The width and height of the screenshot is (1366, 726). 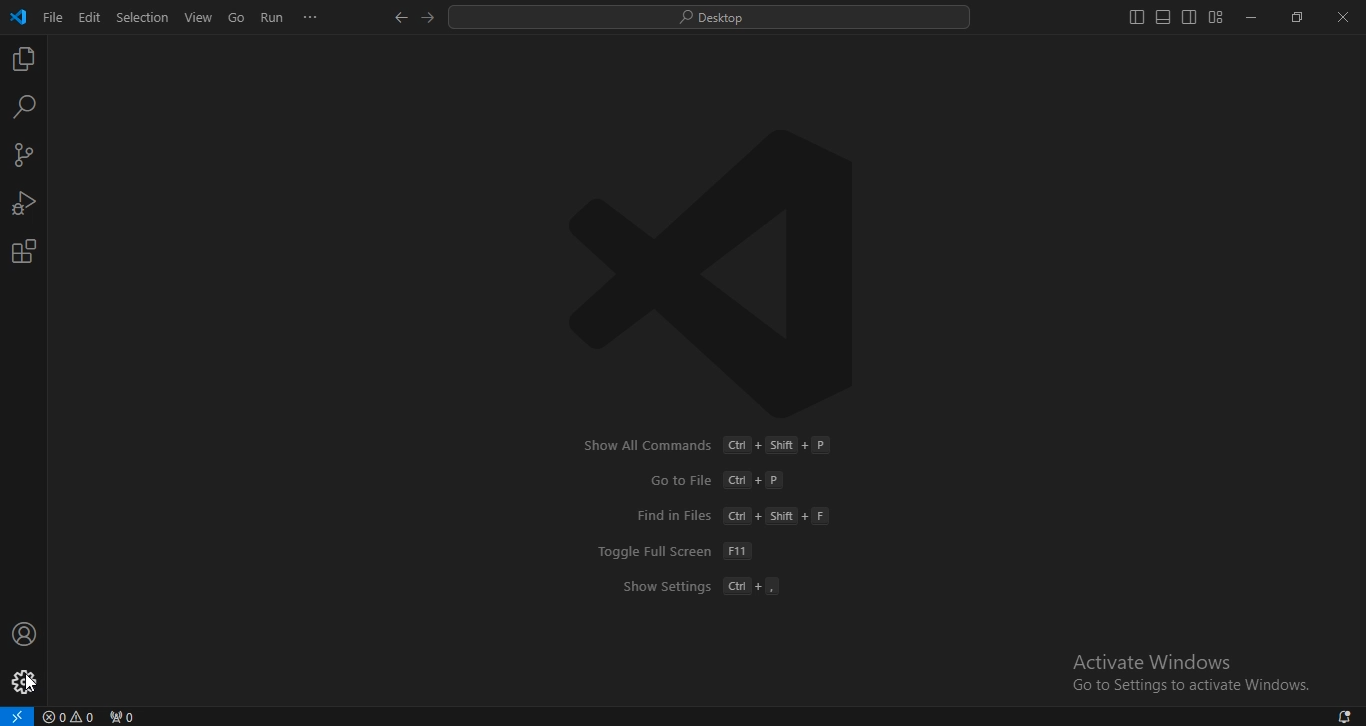 What do you see at coordinates (1342, 17) in the screenshot?
I see `close` at bounding box center [1342, 17].